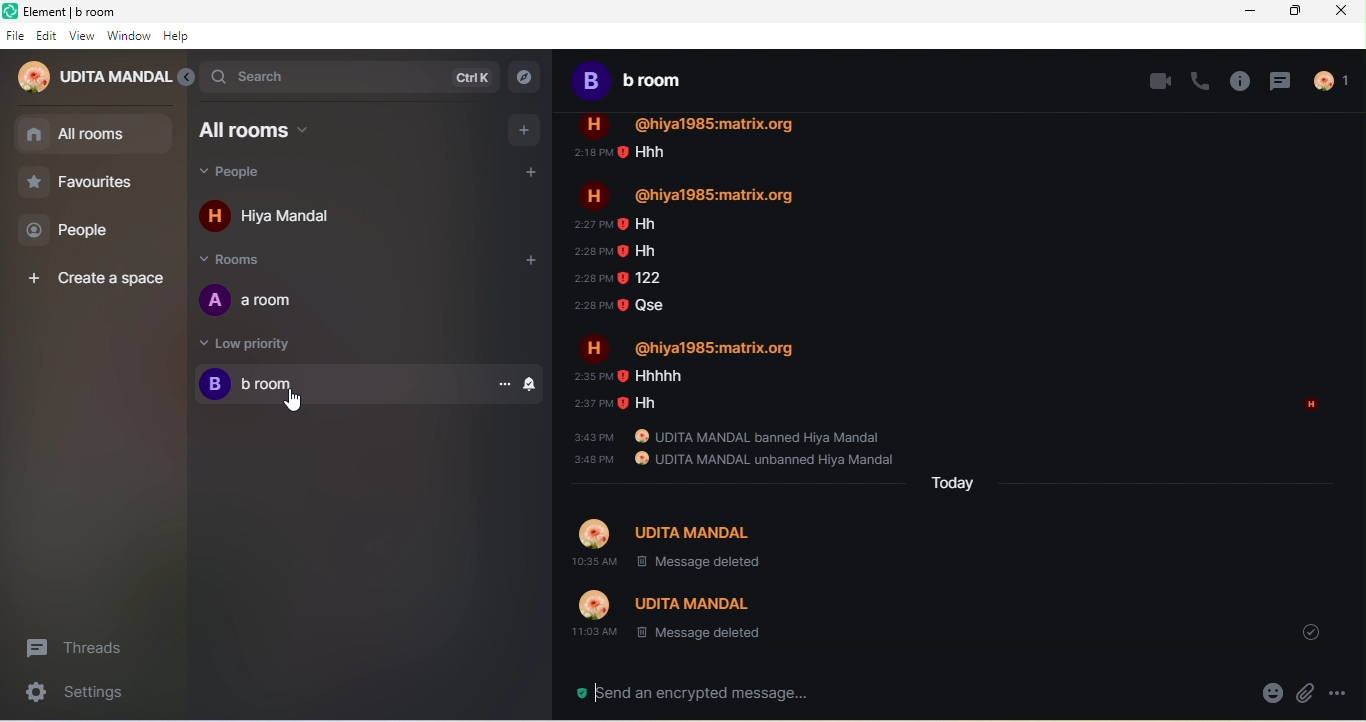  Describe the element at coordinates (1250, 11) in the screenshot. I see `minimize` at that location.